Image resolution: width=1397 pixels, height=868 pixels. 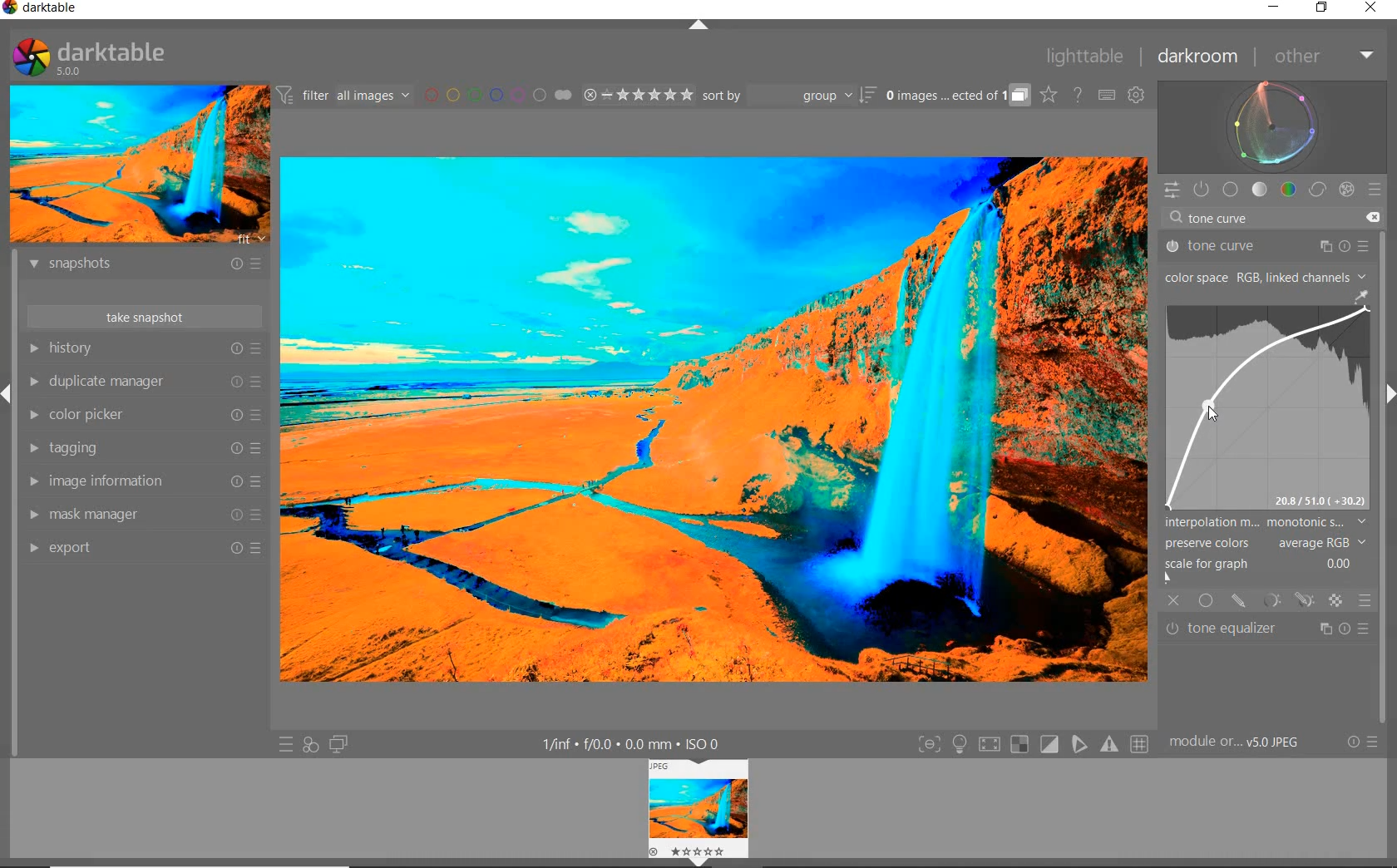 I want to click on Expand/Collapse, so click(x=8, y=398).